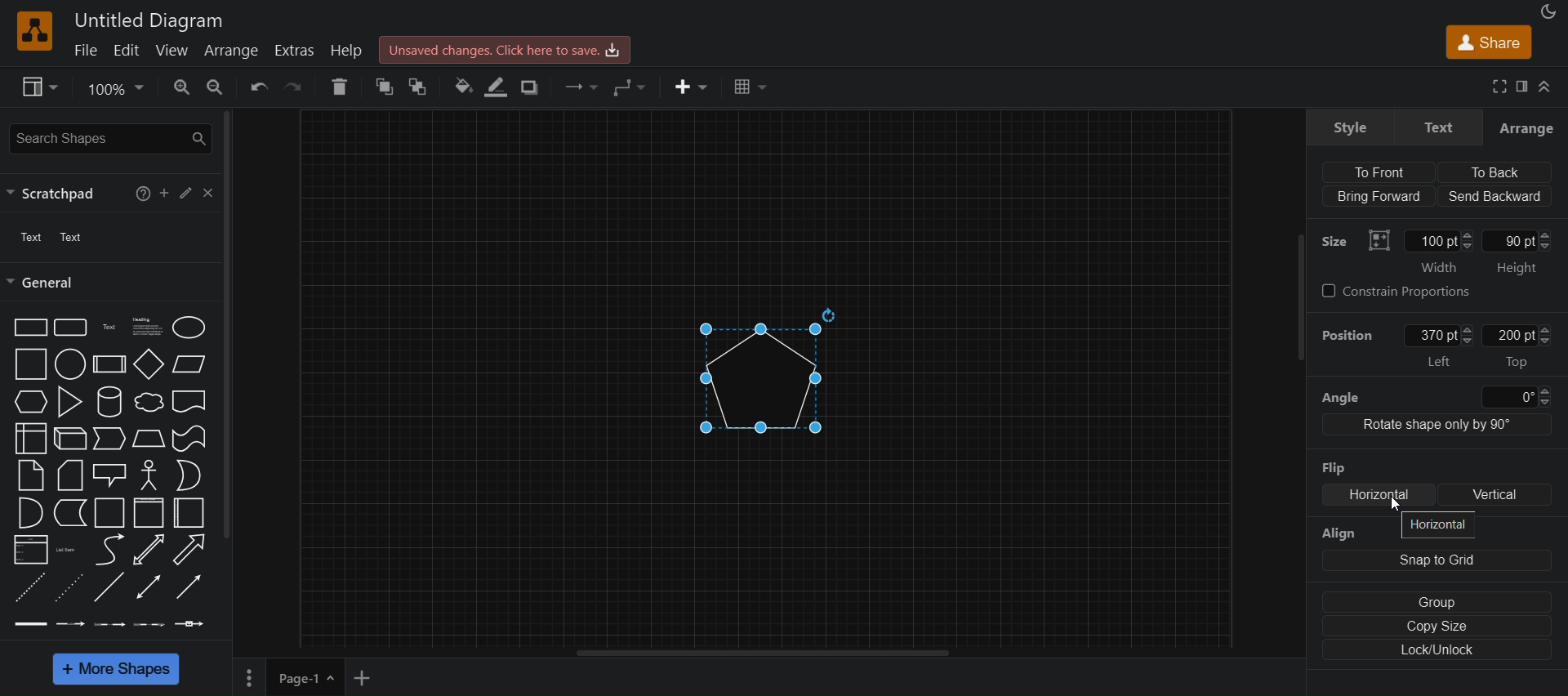  What do you see at coordinates (31, 402) in the screenshot?
I see `Hexagon` at bounding box center [31, 402].